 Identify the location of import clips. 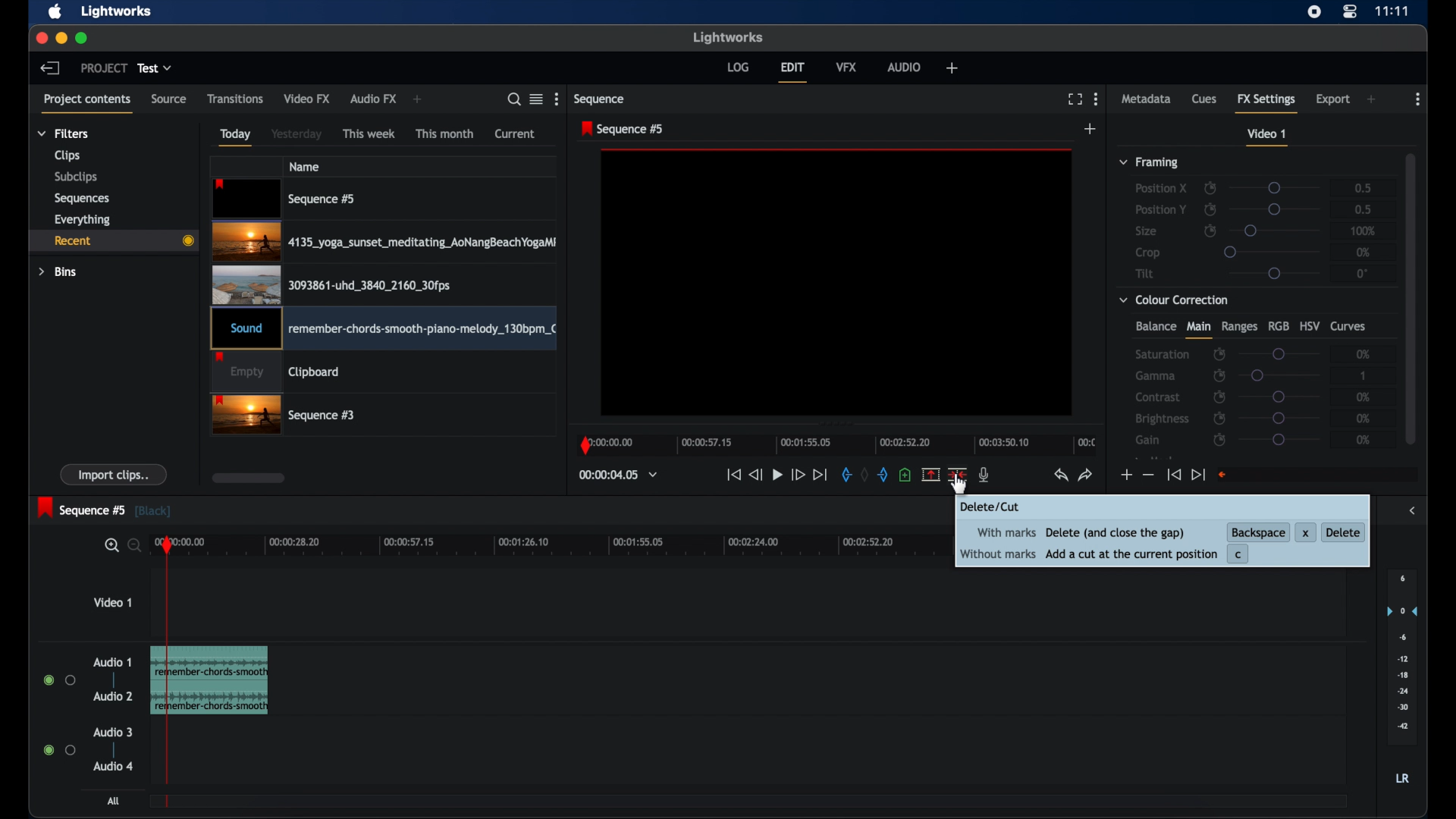
(114, 474).